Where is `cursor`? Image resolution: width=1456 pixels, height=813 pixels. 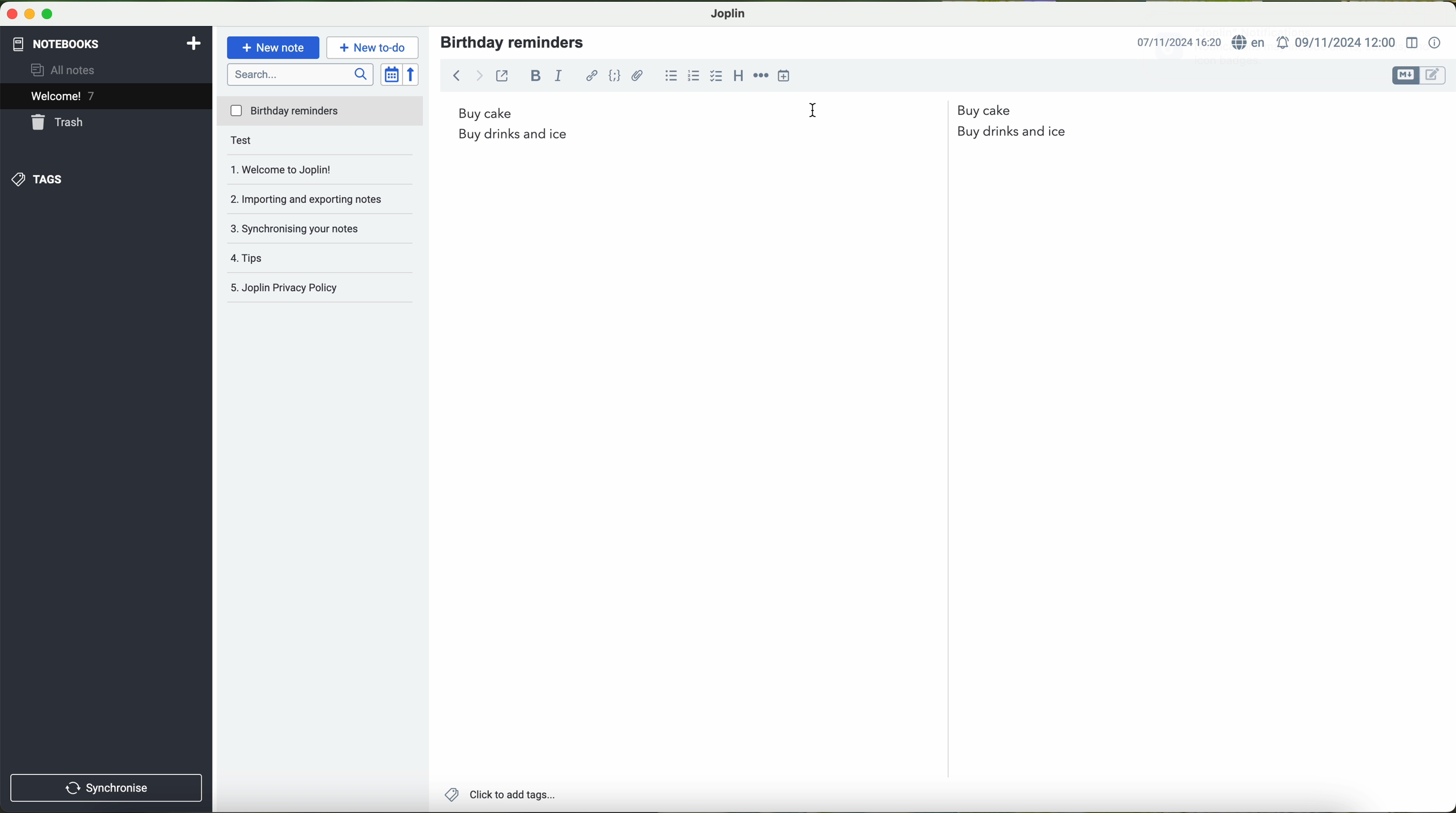 cursor is located at coordinates (809, 113).